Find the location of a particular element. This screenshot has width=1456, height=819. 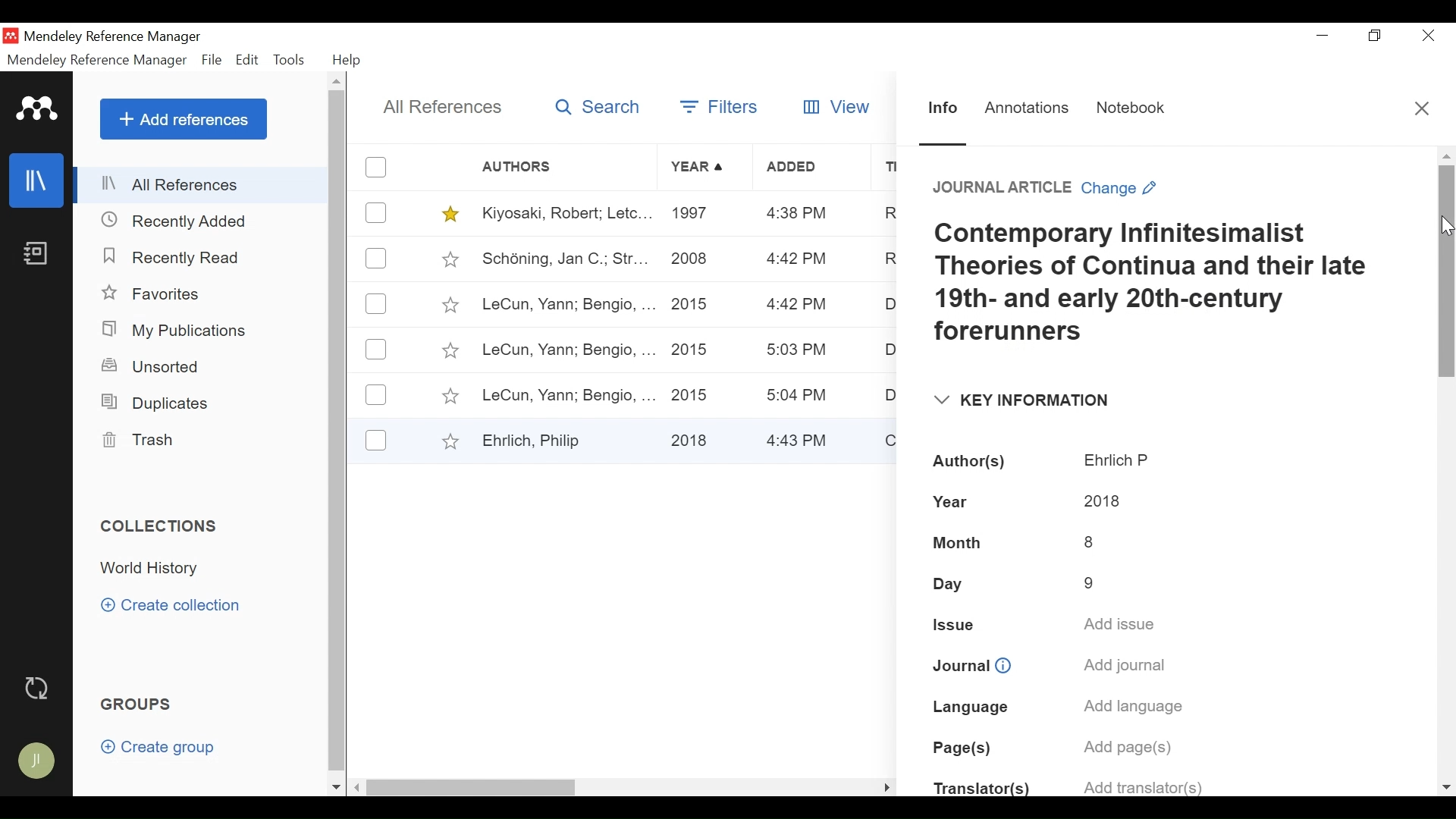

scroll down is located at coordinates (336, 788).